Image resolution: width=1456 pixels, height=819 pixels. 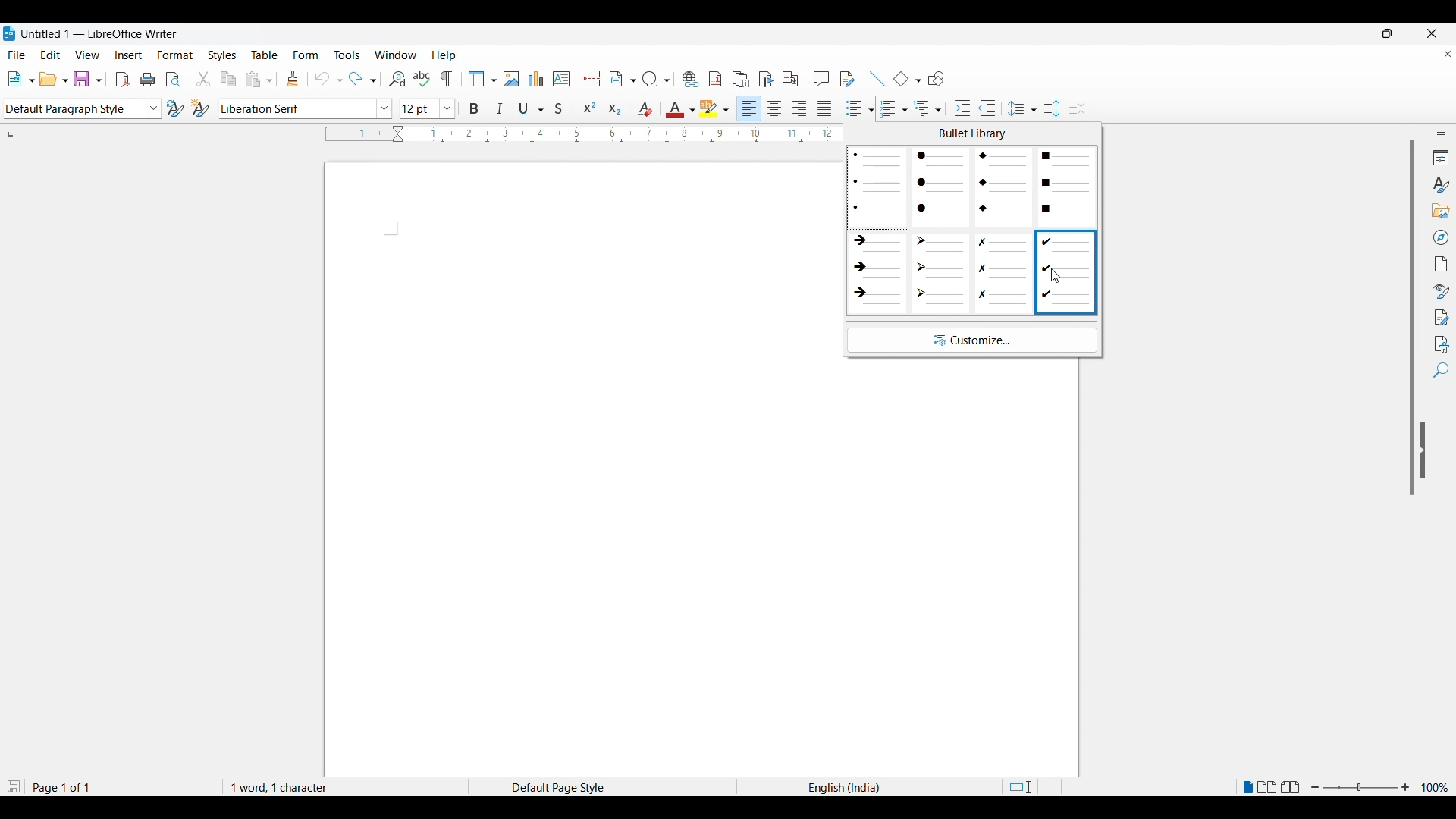 I want to click on spell check, so click(x=422, y=77).